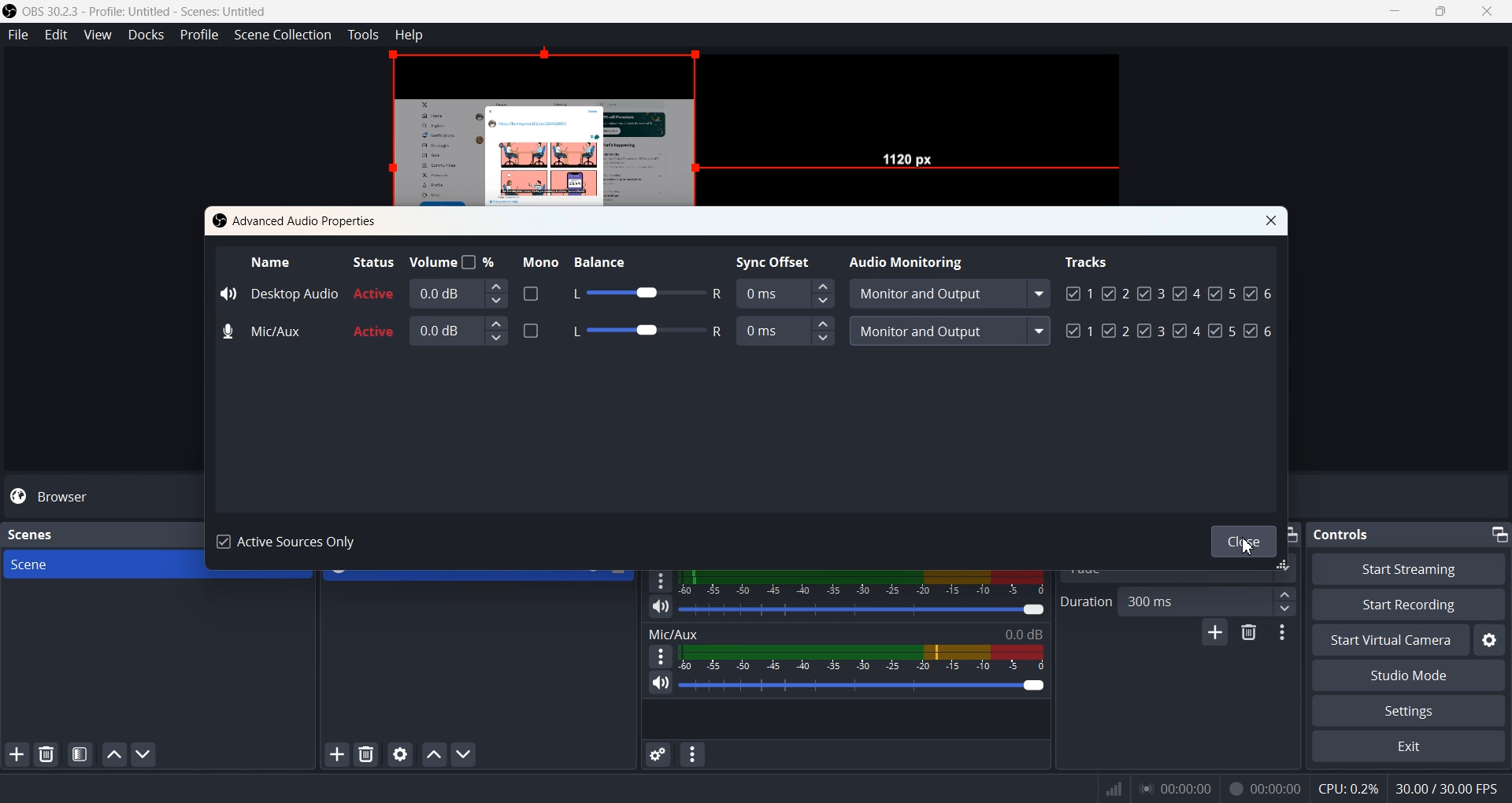  I want to click on Tools, so click(364, 35).